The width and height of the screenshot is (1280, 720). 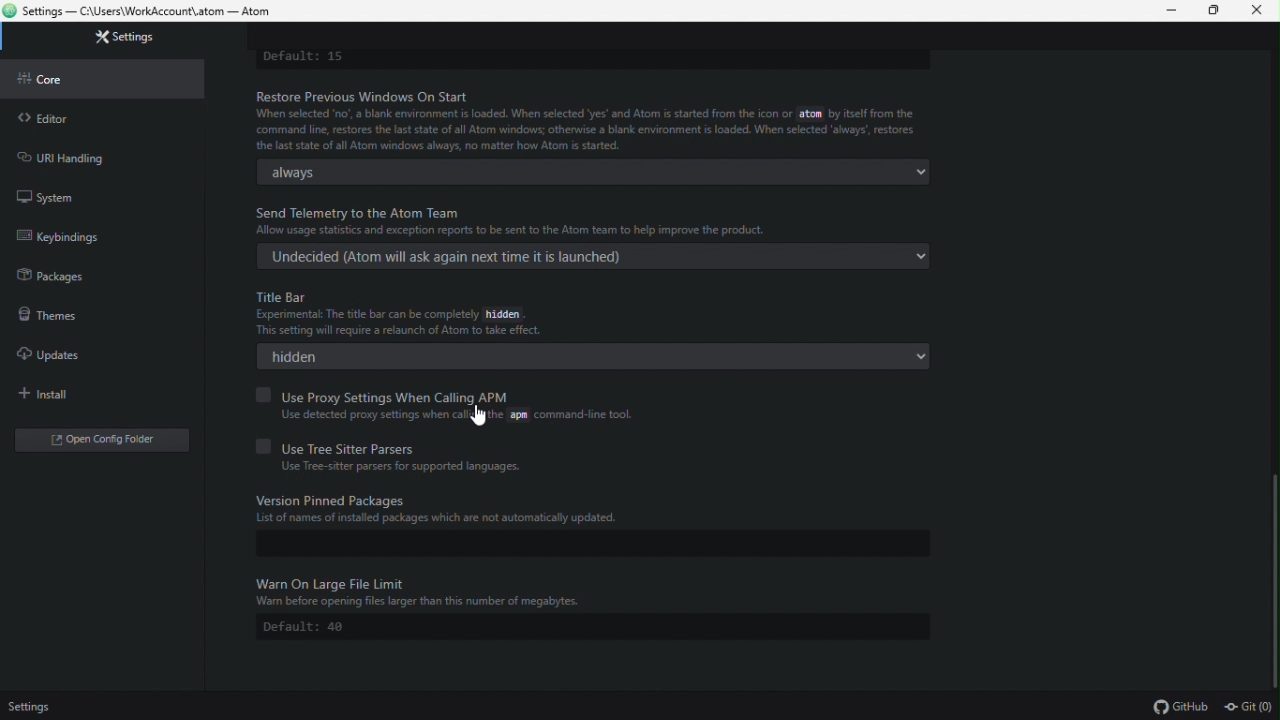 I want to click on Warn On Large File Limit Warn before opening file lager than this number of megabytes., so click(x=420, y=590).